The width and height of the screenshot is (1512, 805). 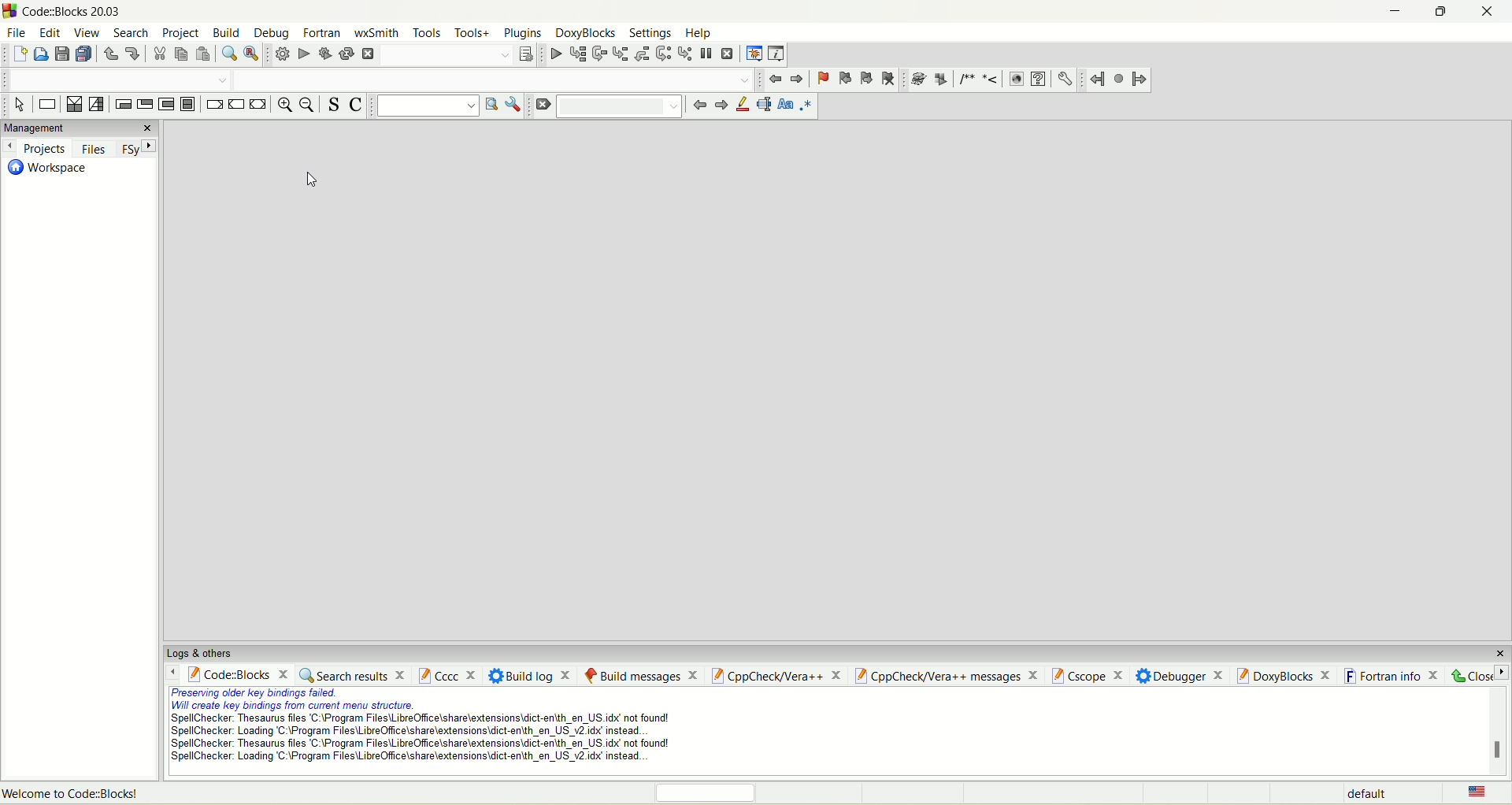 I want to click on debug, so click(x=553, y=54).